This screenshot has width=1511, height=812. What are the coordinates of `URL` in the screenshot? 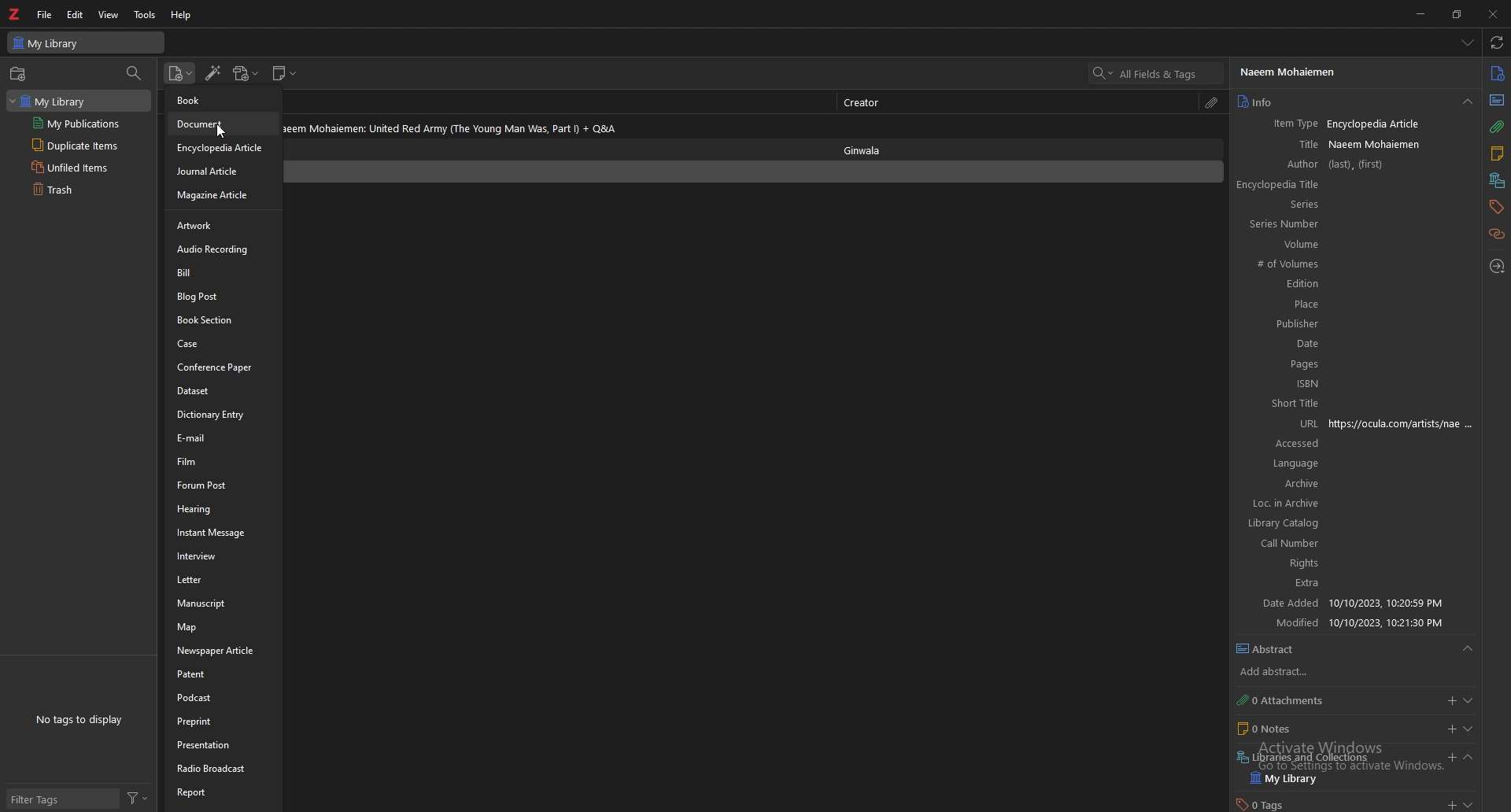 It's located at (1279, 423).